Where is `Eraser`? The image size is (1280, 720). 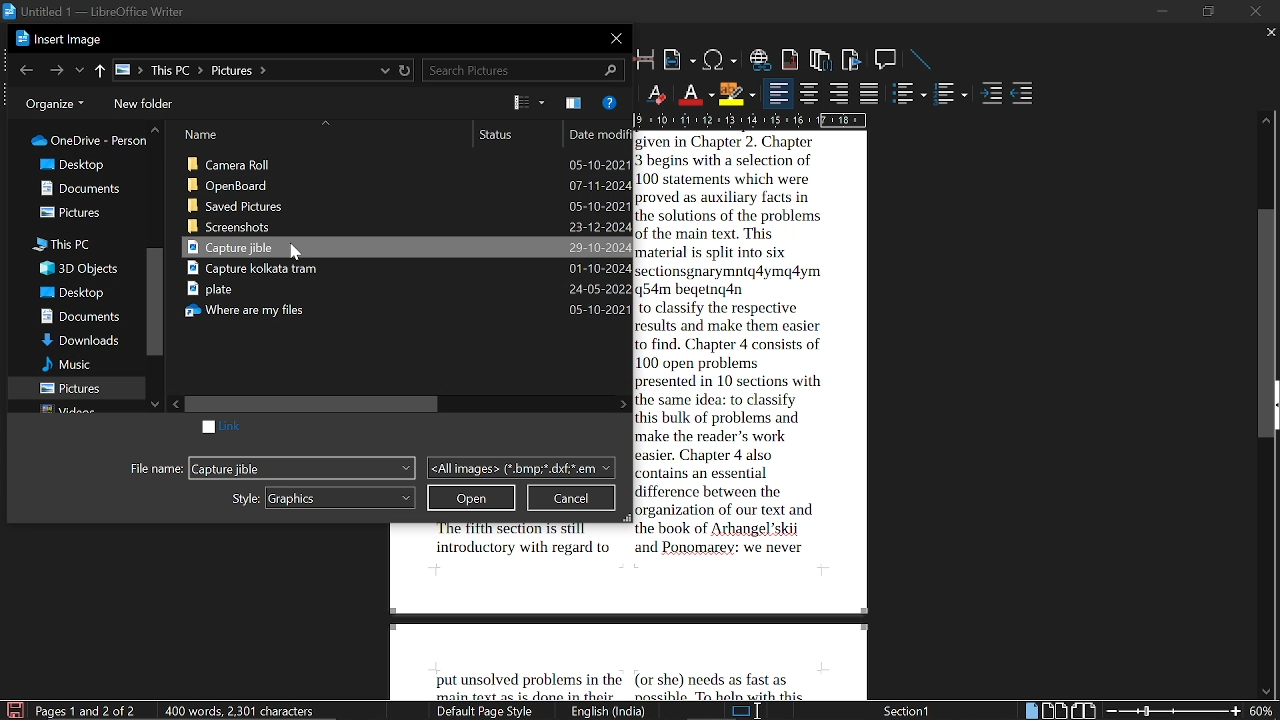
Eraser is located at coordinates (658, 94).